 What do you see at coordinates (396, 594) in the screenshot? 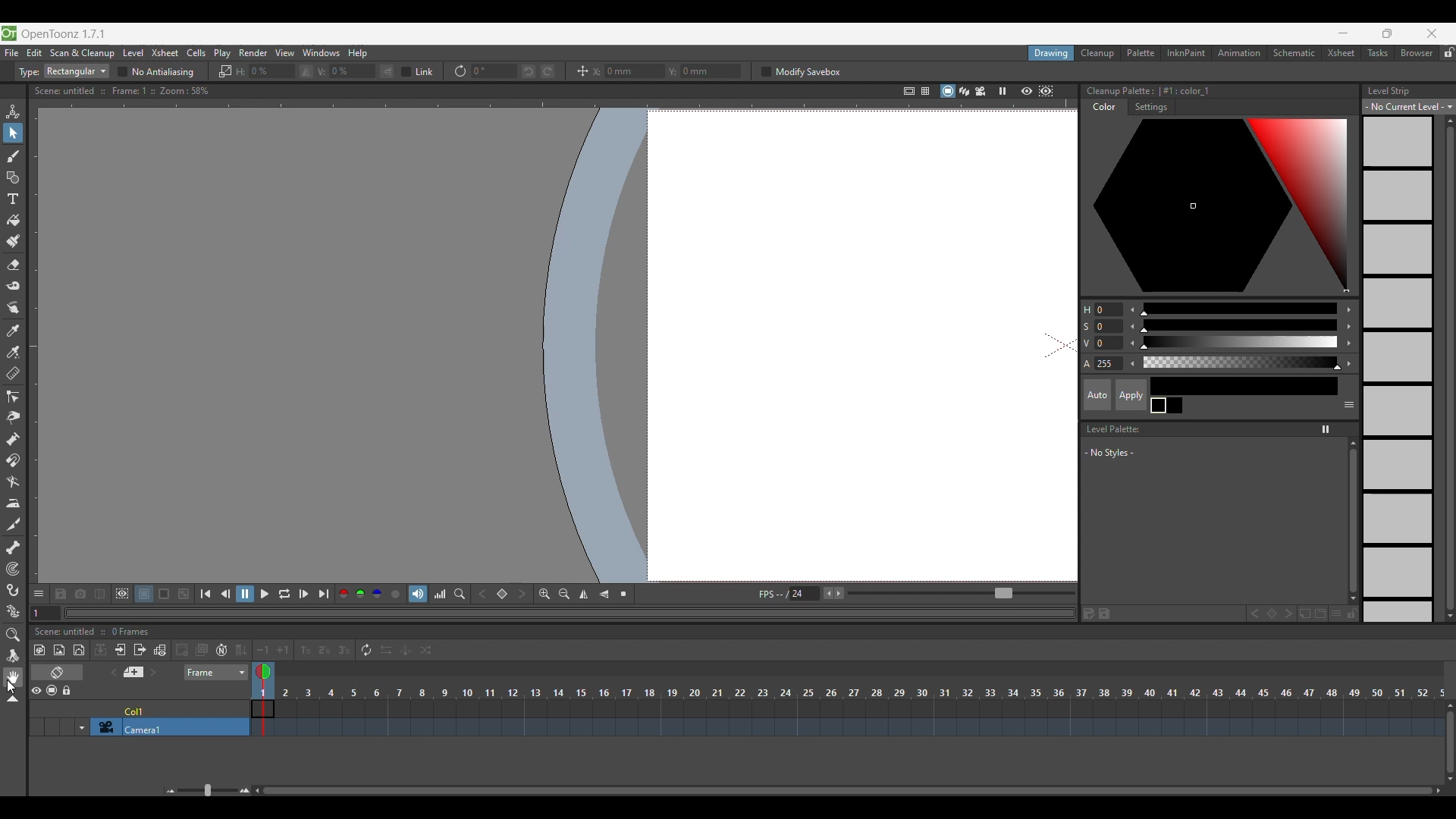
I see `Alpha channel` at bounding box center [396, 594].